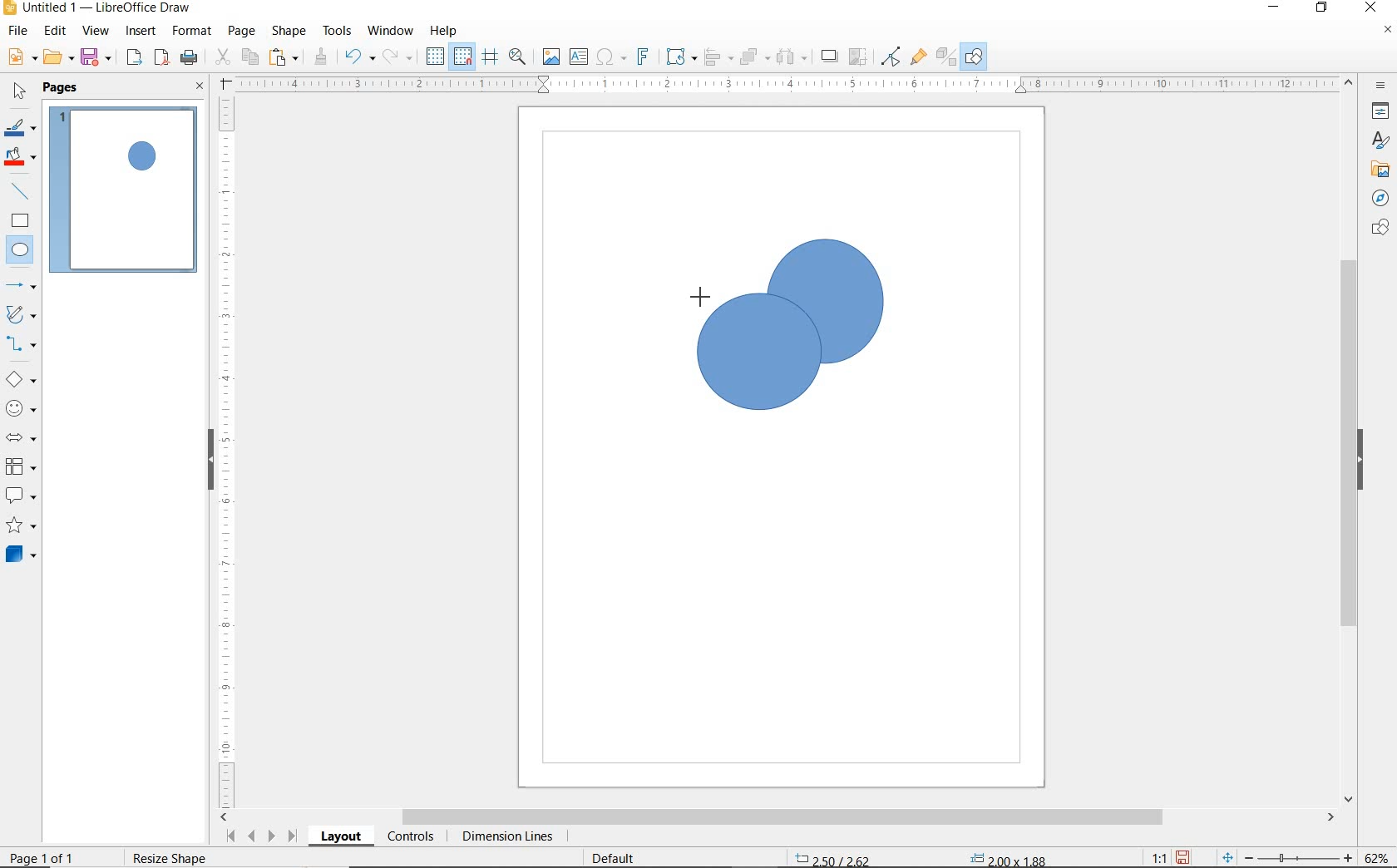  What do you see at coordinates (921, 854) in the screenshot?
I see `STANDARD SELECTION` at bounding box center [921, 854].